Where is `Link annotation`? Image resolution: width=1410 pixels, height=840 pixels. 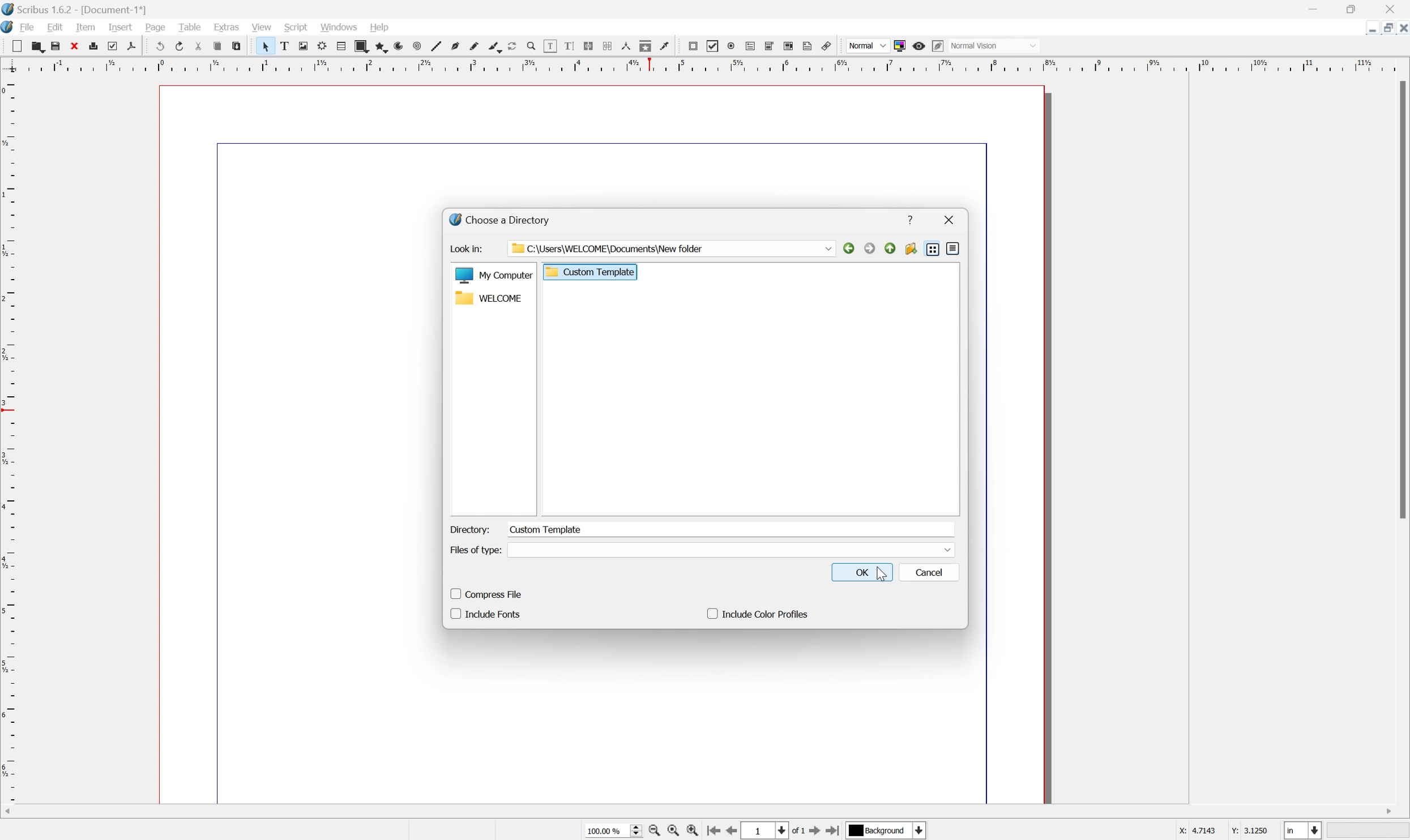
Link annotation is located at coordinates (828, 46).